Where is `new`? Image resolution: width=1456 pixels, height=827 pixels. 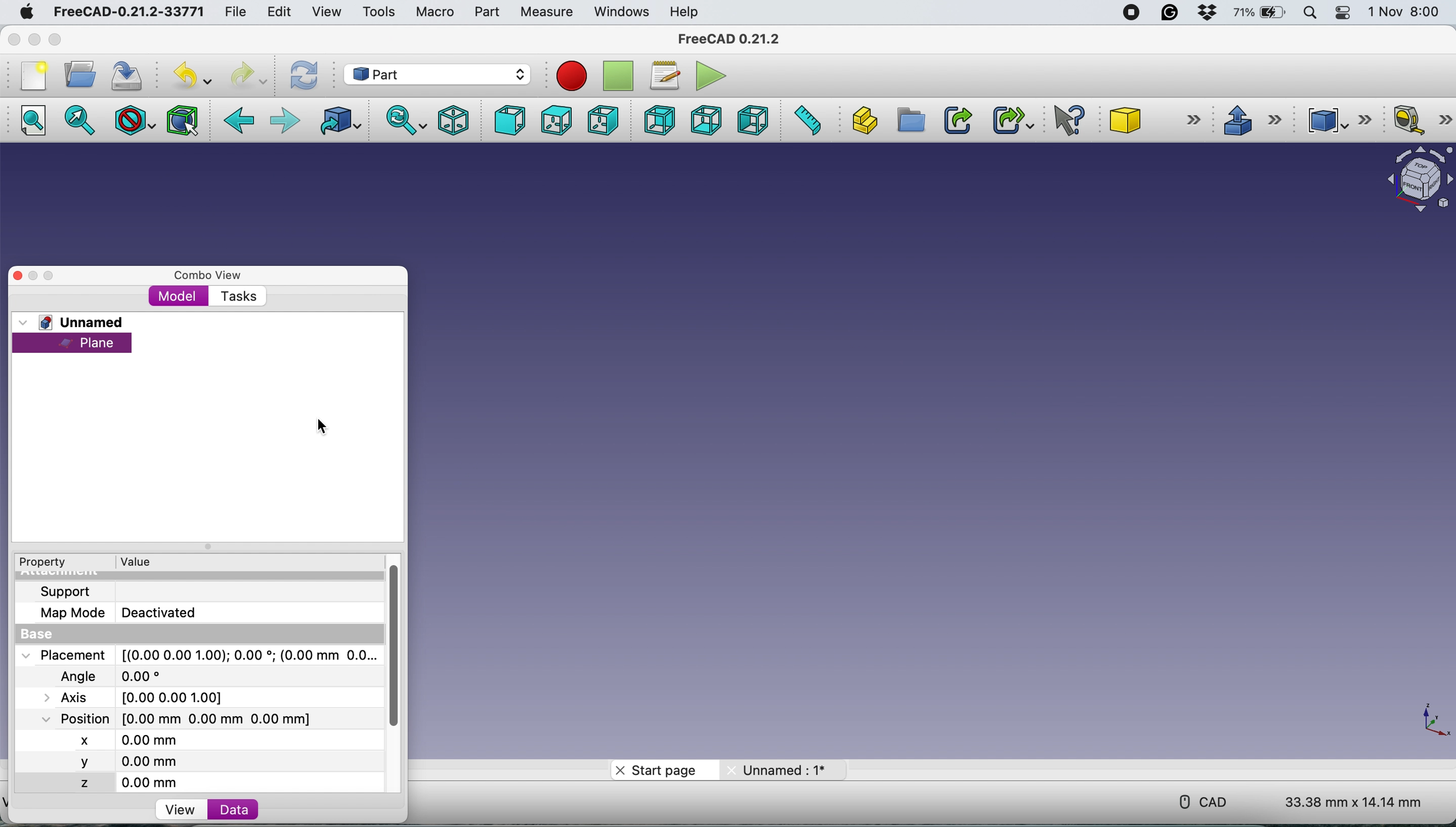 new is located at coordinates (32, 73).